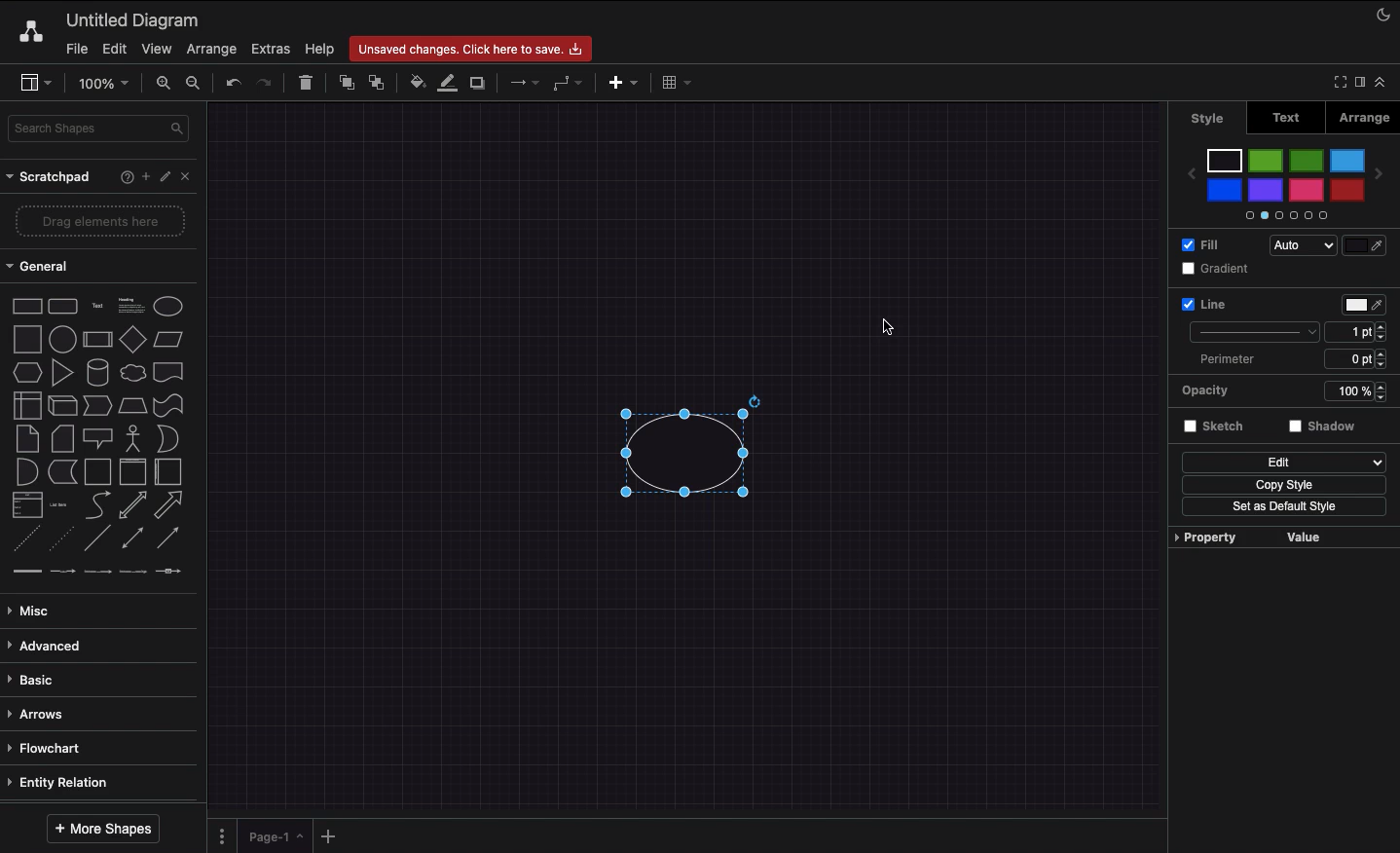 The image size is (1400, 853). Describe the element at coordinates (889, 327) in the screenshot. I see `Cursor` at that location.